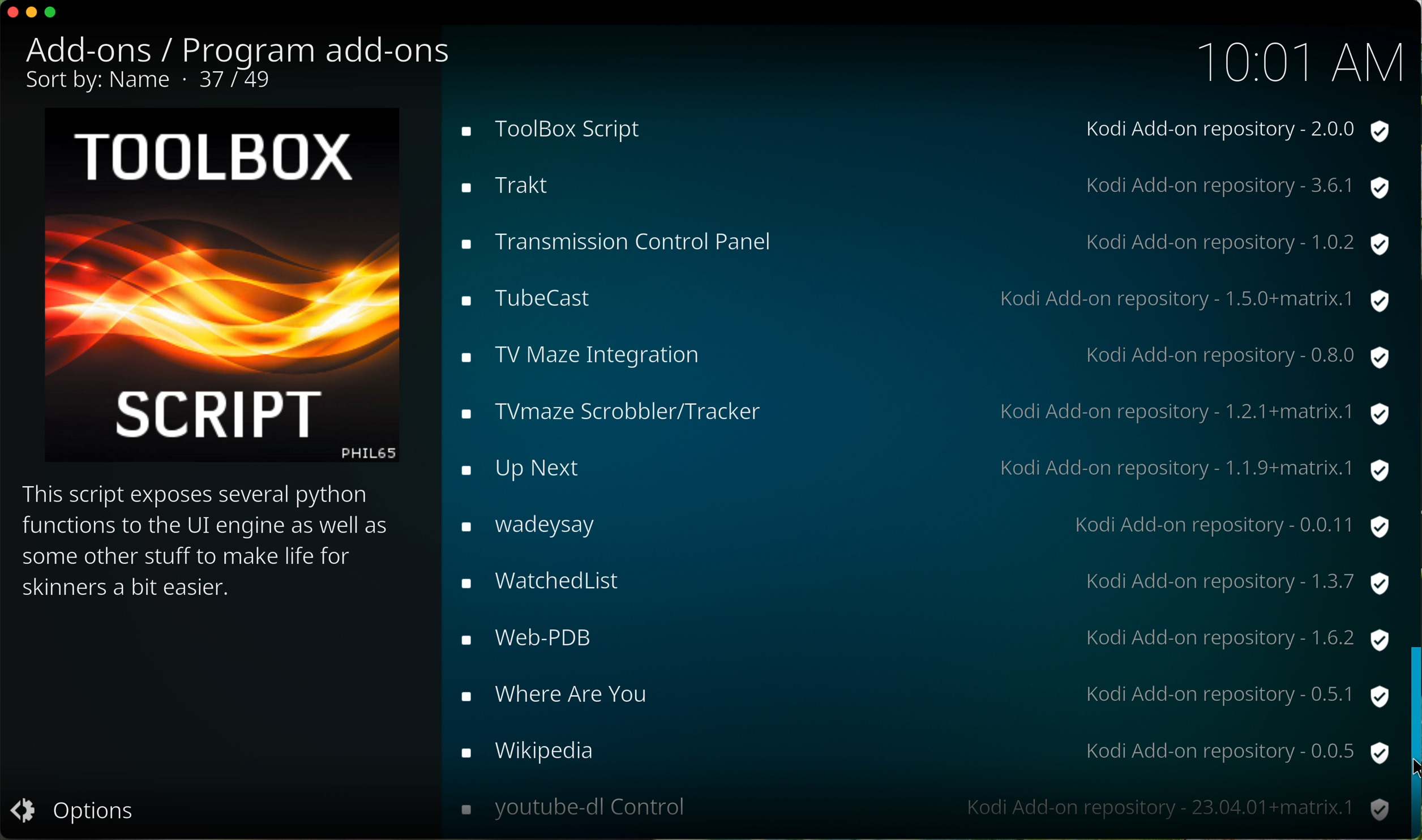 The image size is (1422, 840). I want to click on tubecast, so click(922, 302).